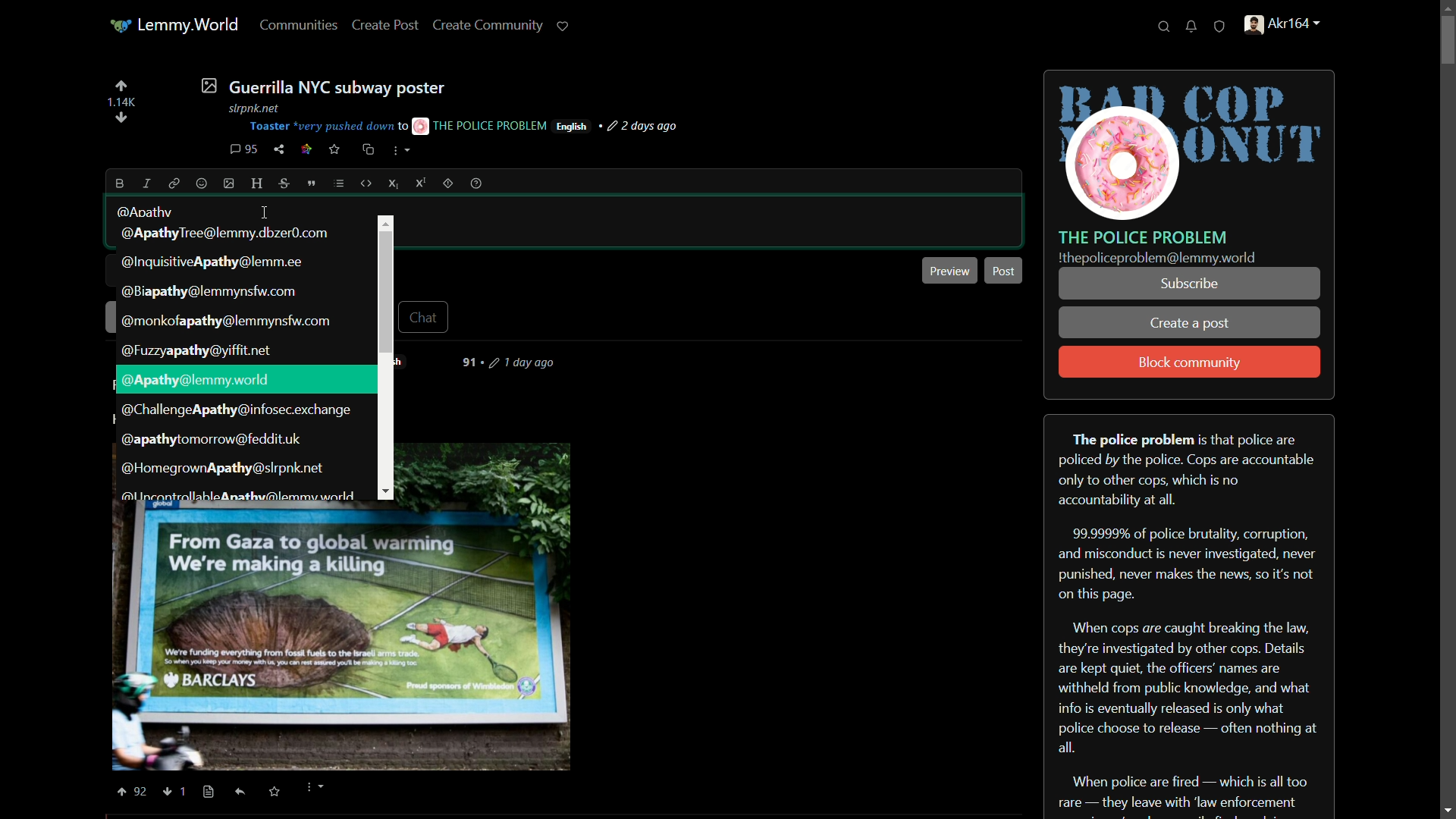  What do you see at coordinates (230, 184) in the screenshot?
I see `image` at bounding box center [230, 184].